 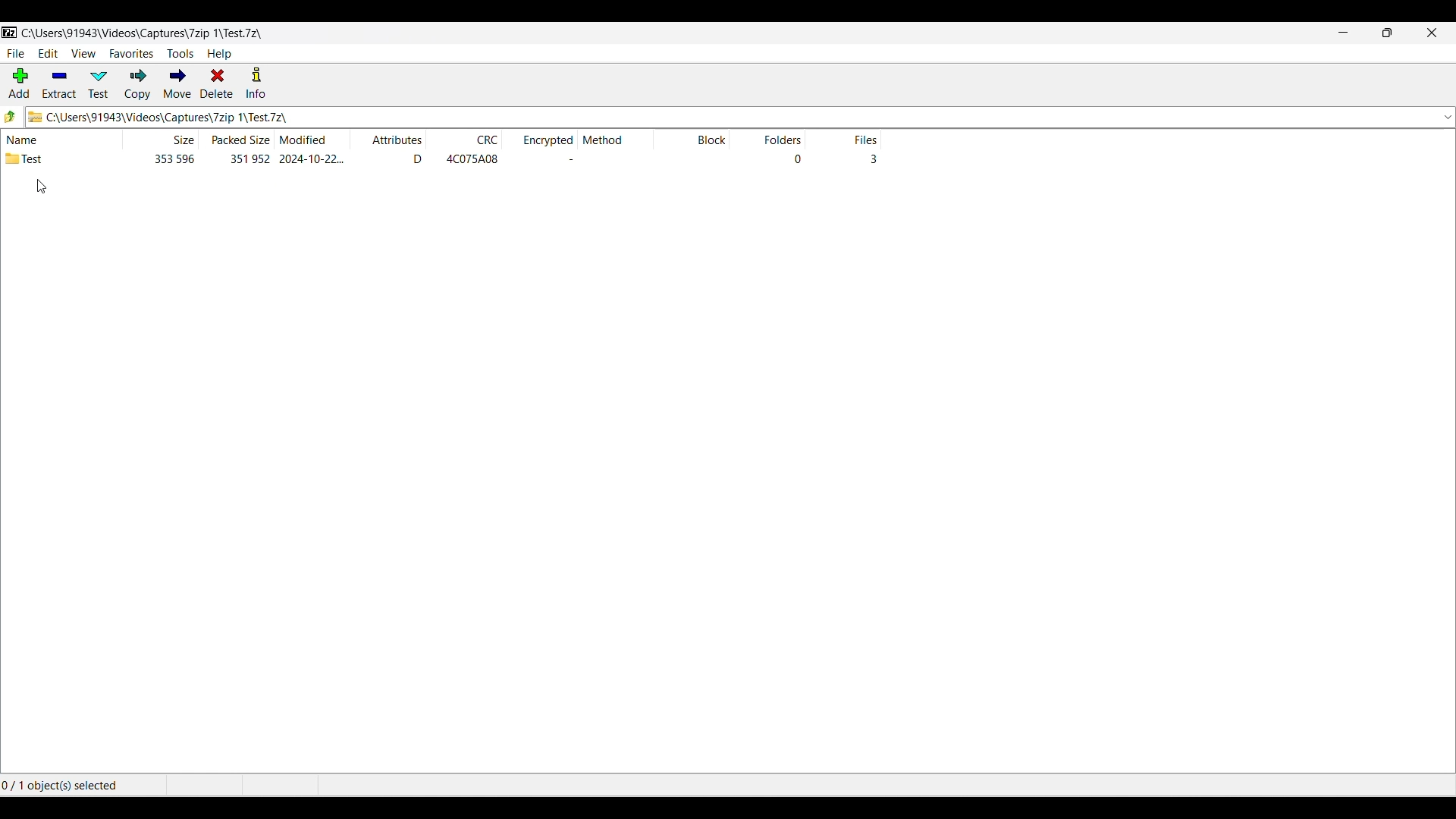 I want to click on Cursor position unchanged, so click(x=41, y=187).